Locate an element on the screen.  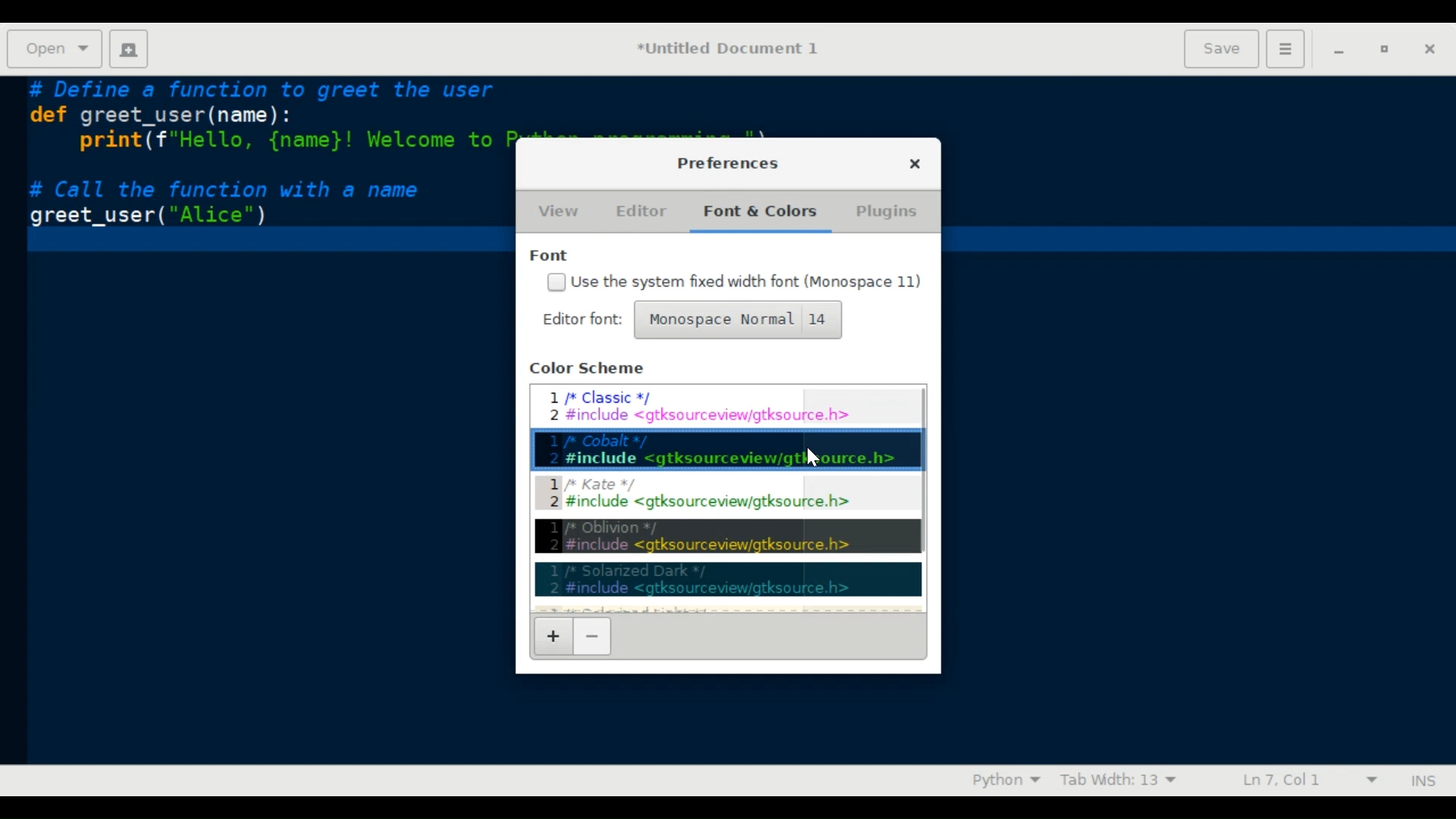
Monospace Normal 14 is located at coordinates (736, 320).